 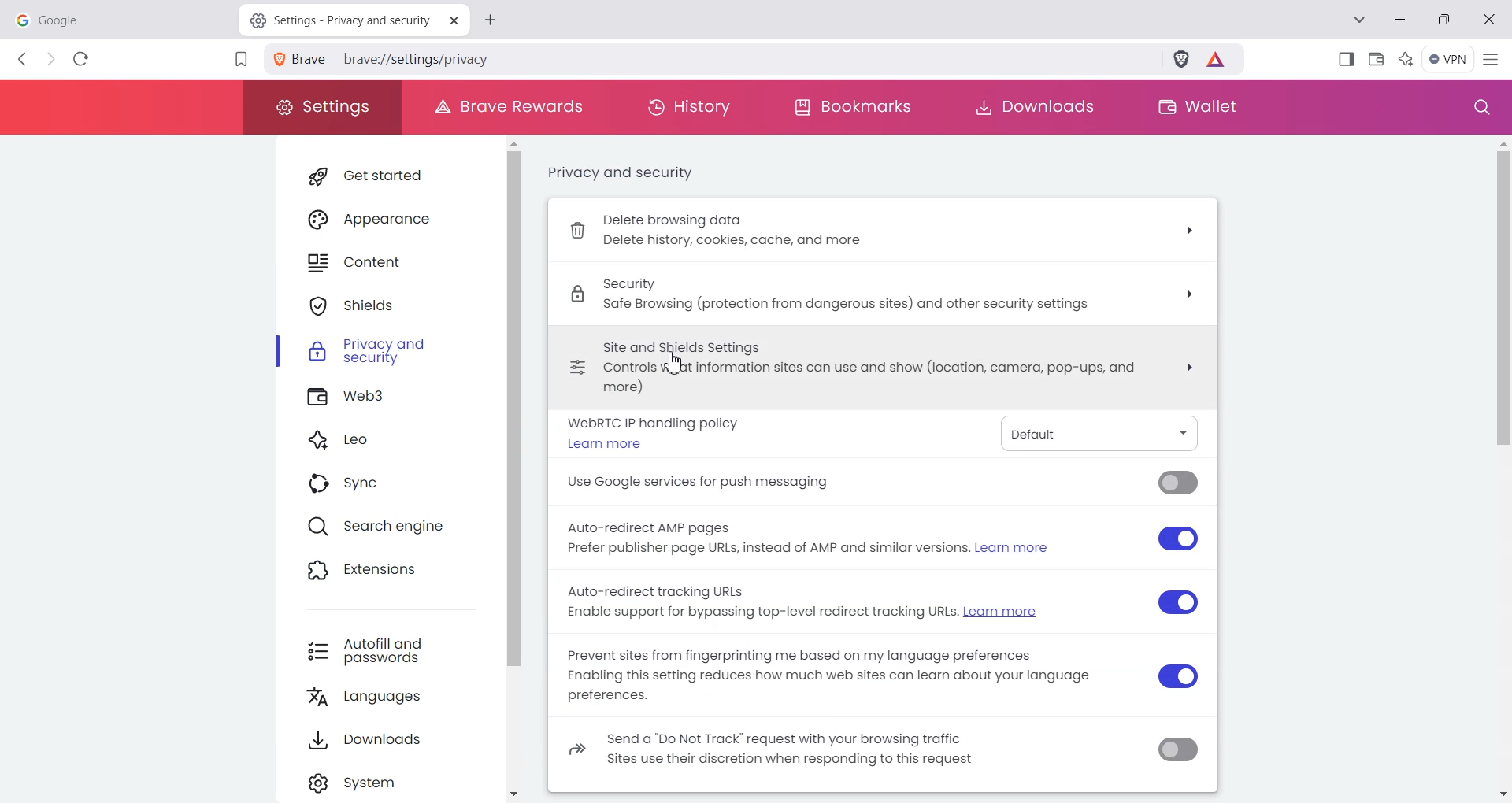 I want to click on ) Delete browsing data
J Delete history, cookies, cache, and more, so click(x=883, y=231).